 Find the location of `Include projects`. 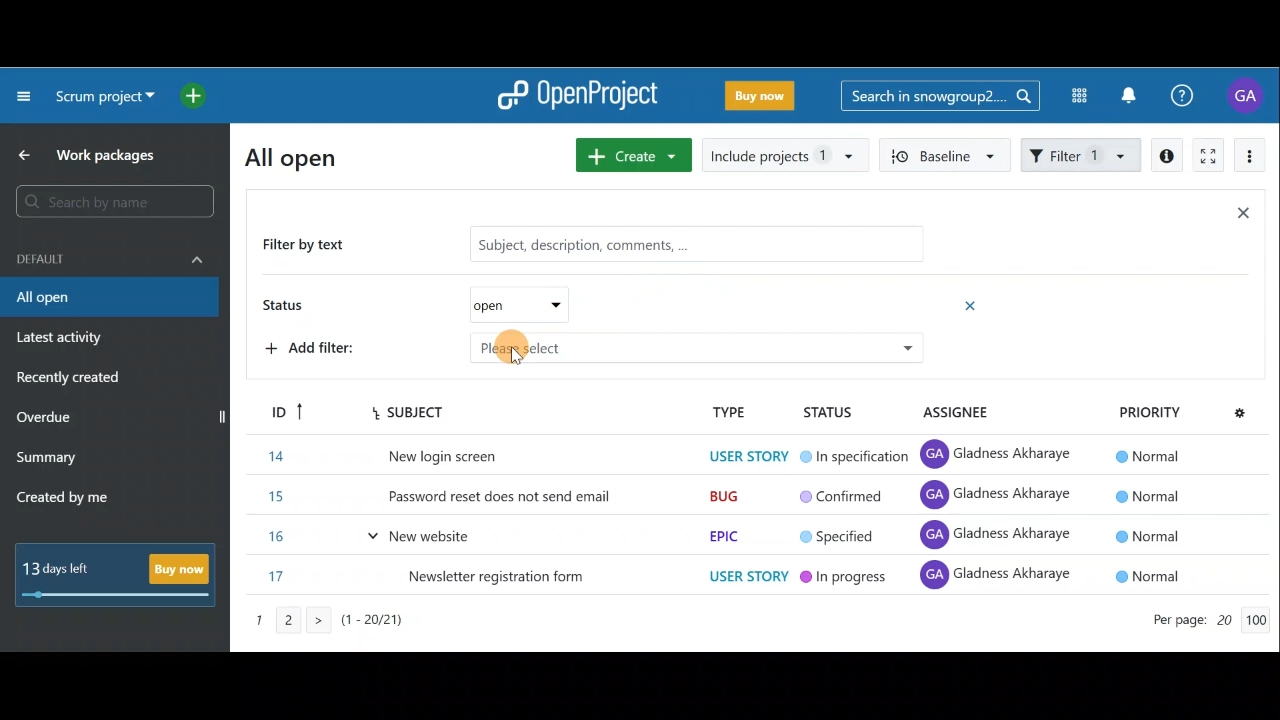

Include projects is located at coordinates (784, 156).